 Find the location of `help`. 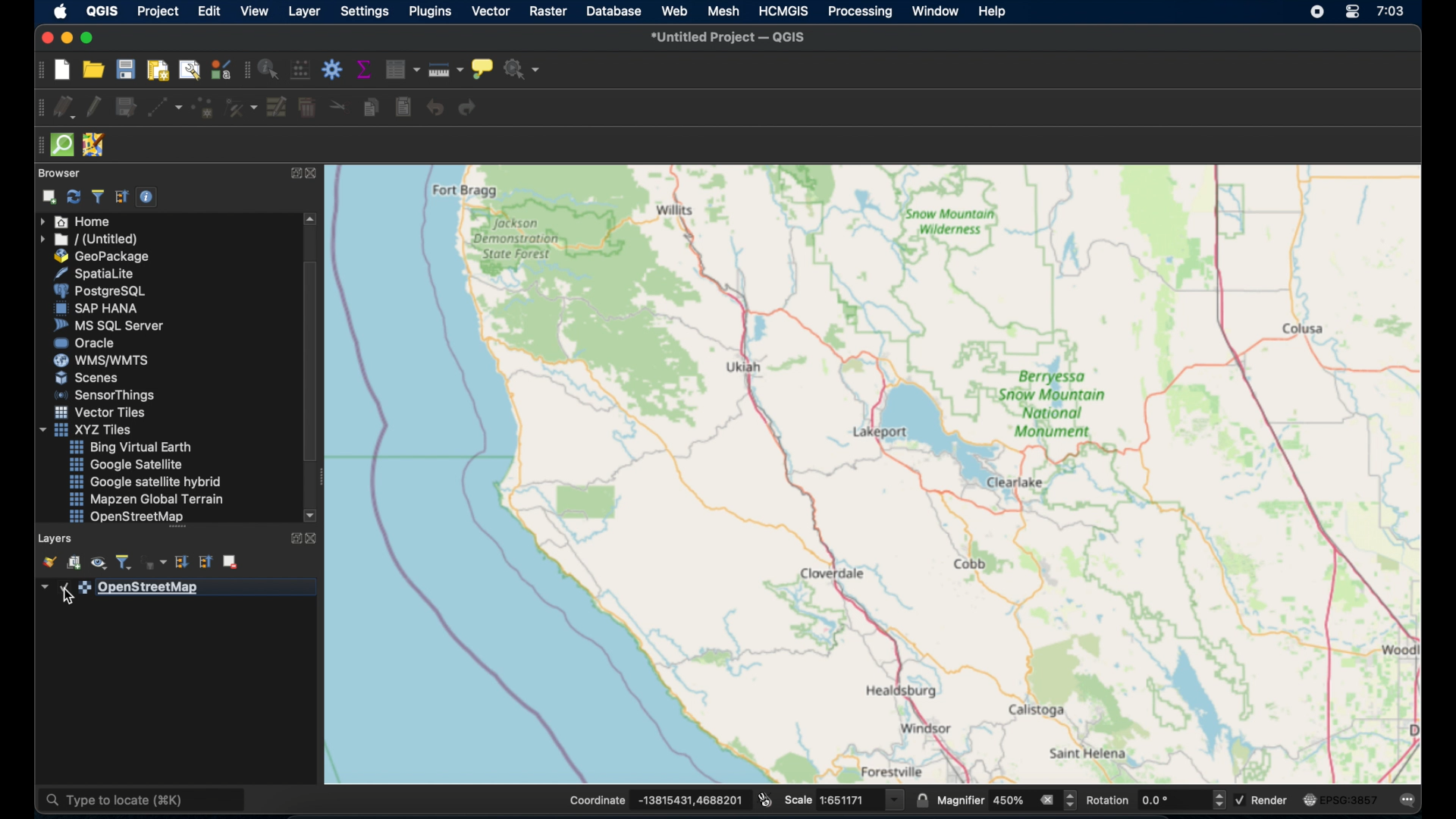

help is located at coordinates (993, 13).